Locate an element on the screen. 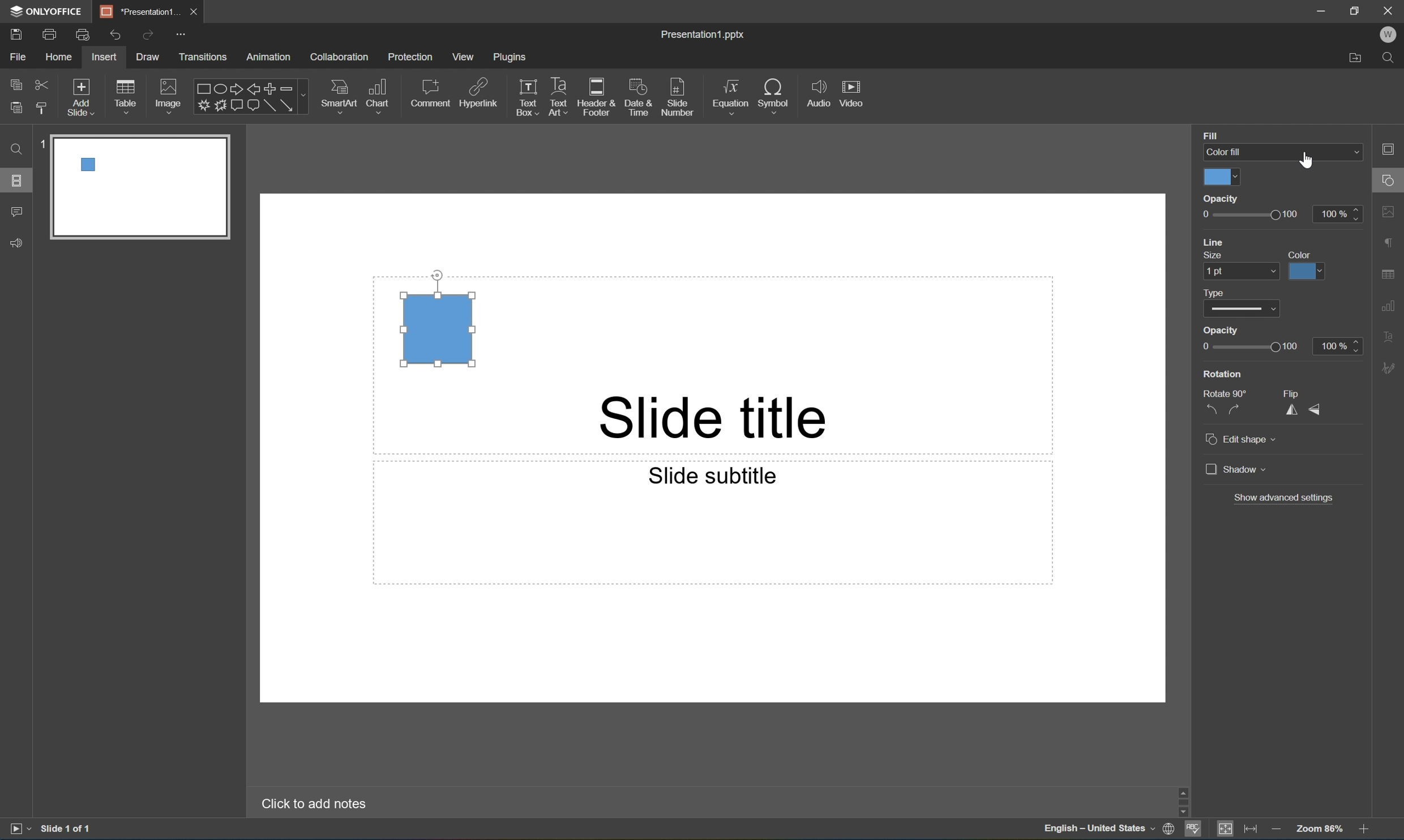 The height and width of the screenshot is (840, 1404). File is located at coordinates (18, 57).